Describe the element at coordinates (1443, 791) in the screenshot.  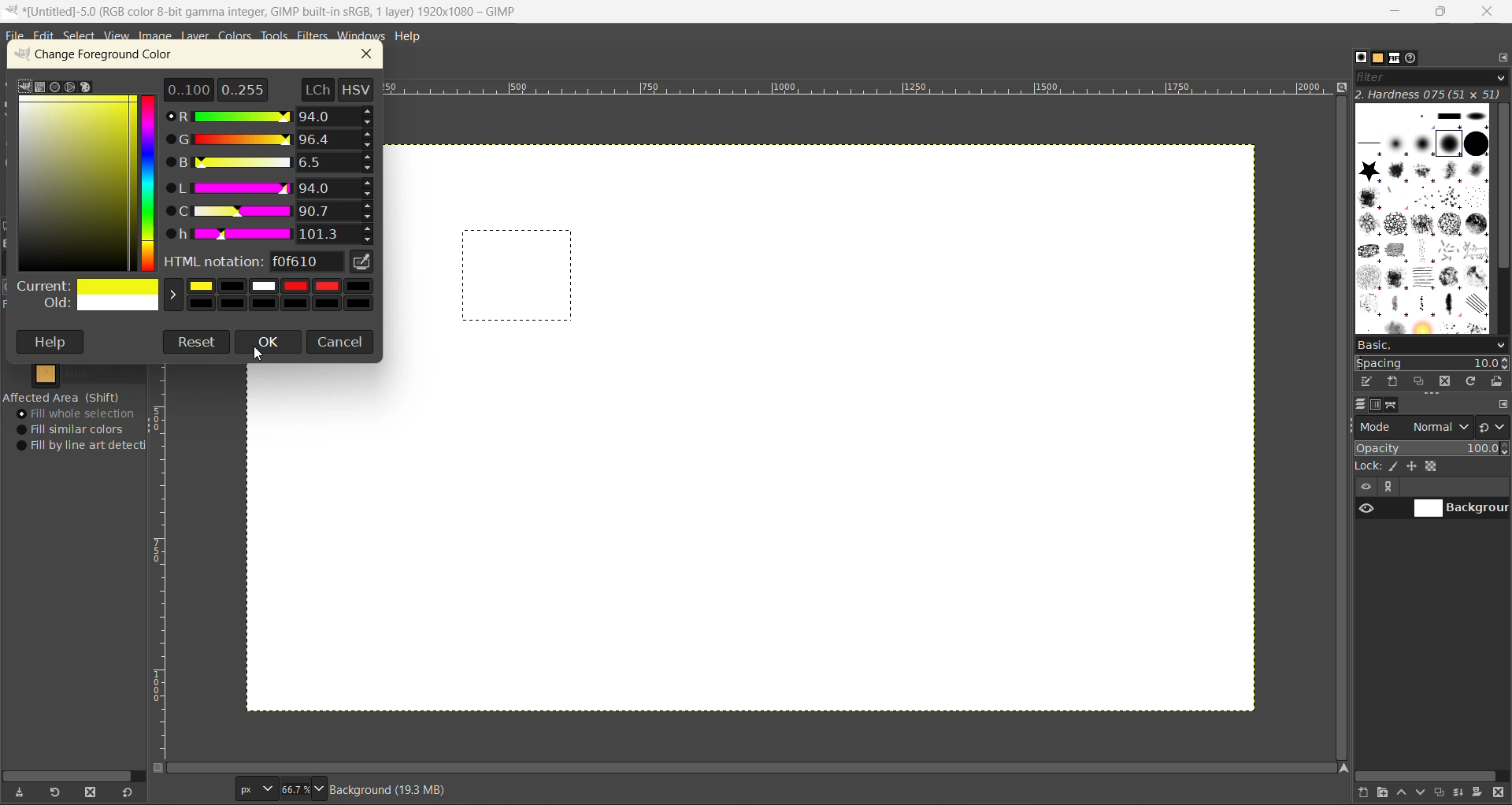
I see `create a duplicate layer` at that location.